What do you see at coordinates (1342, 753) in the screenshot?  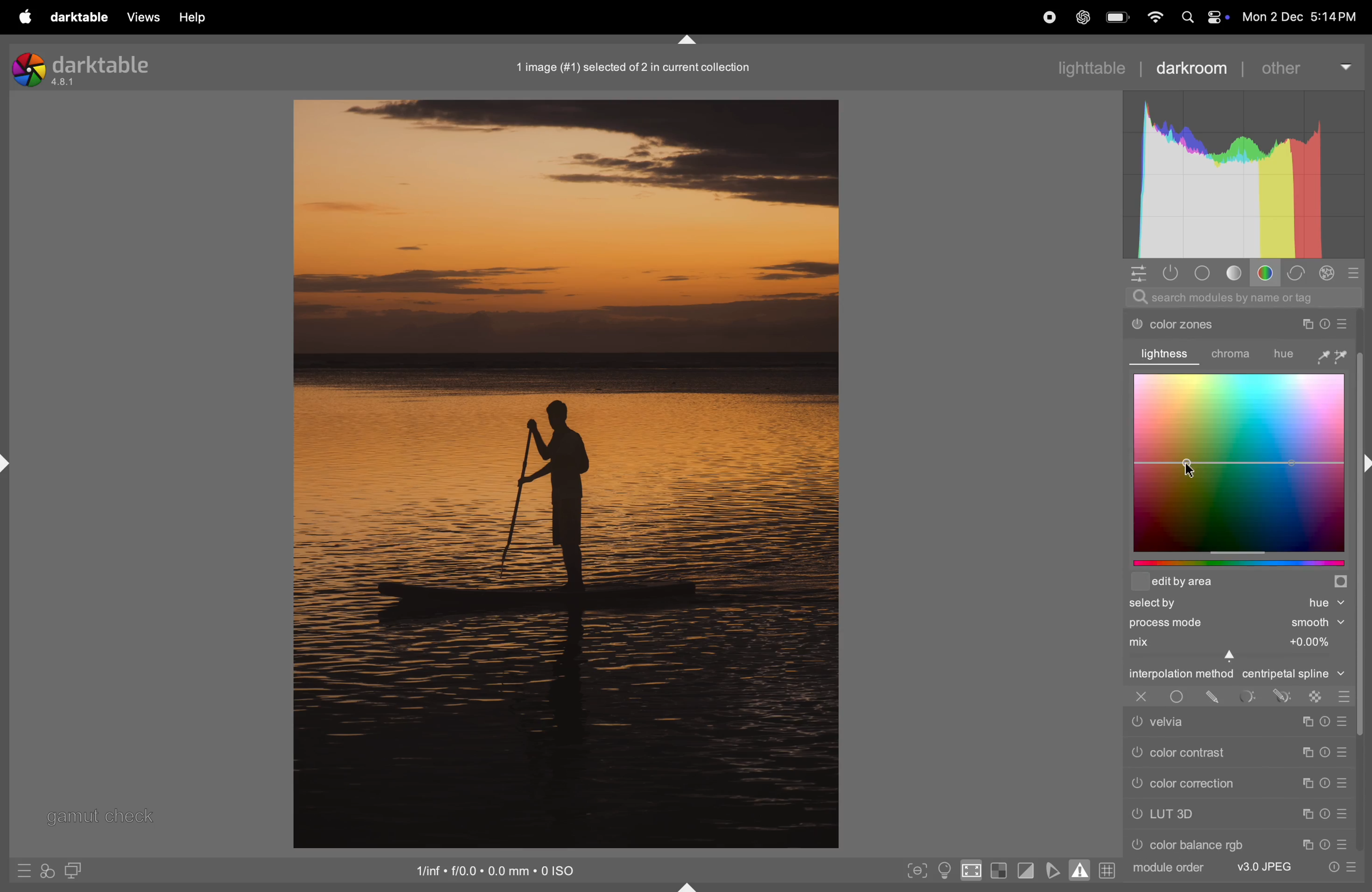 I see `preset` at bounding box center [1342, 753].